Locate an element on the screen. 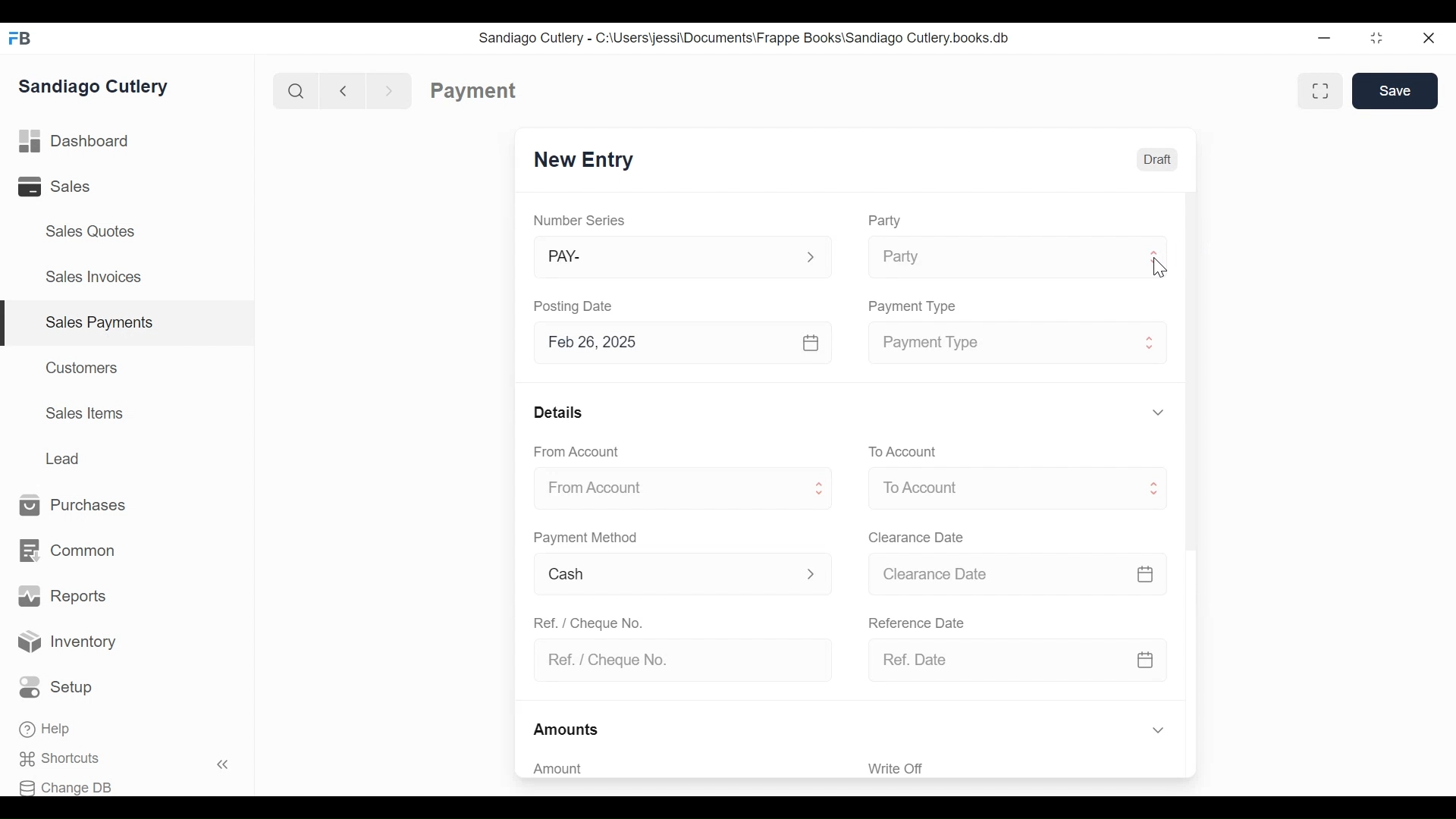 Image resolution: width=1456 pixels, height=819 pixels. Party is located at coordinates (883, 221).